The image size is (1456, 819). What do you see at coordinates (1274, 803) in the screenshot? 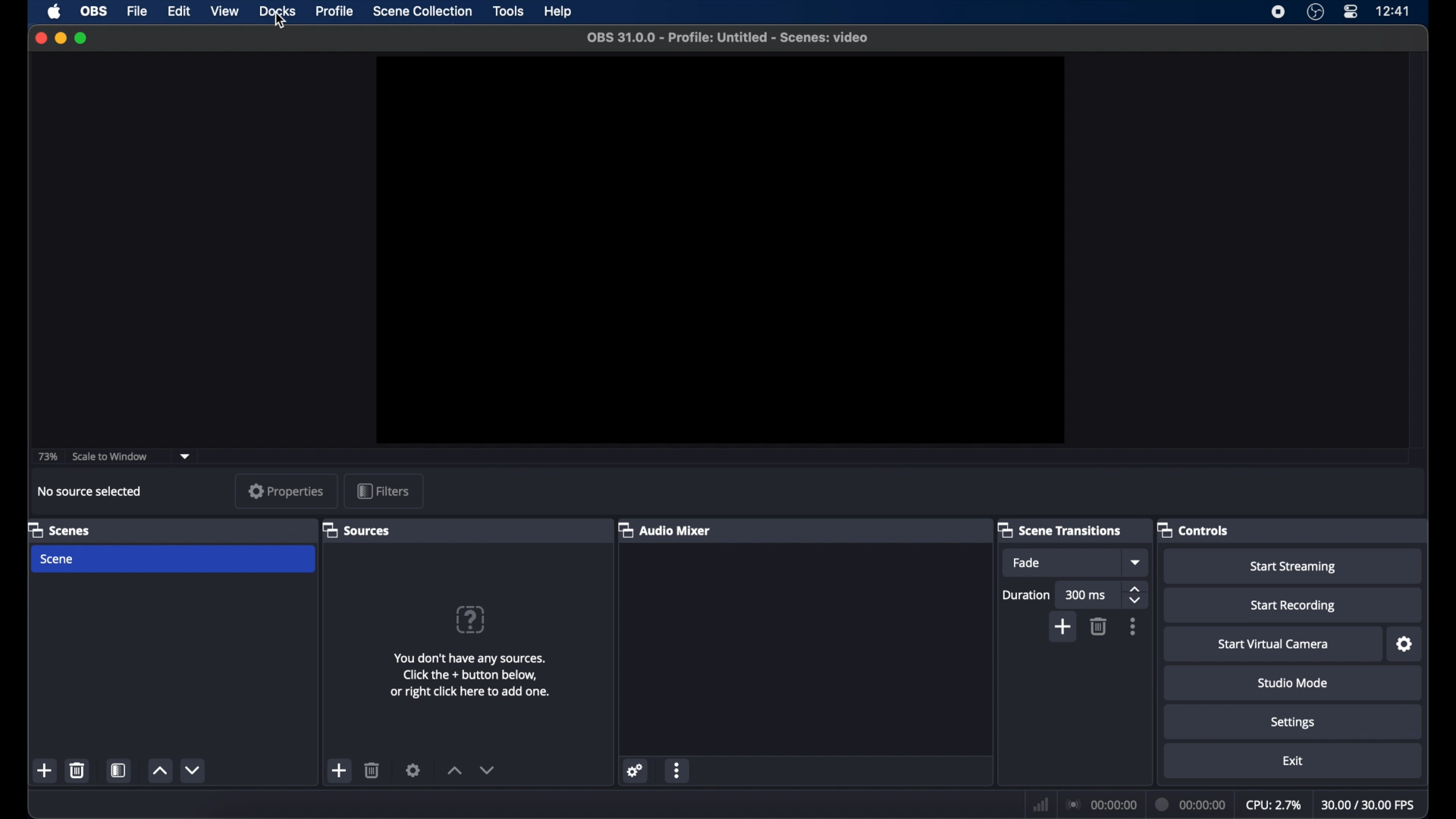
I see `cpu: 2.7%` at bounding box center [1274, 803].